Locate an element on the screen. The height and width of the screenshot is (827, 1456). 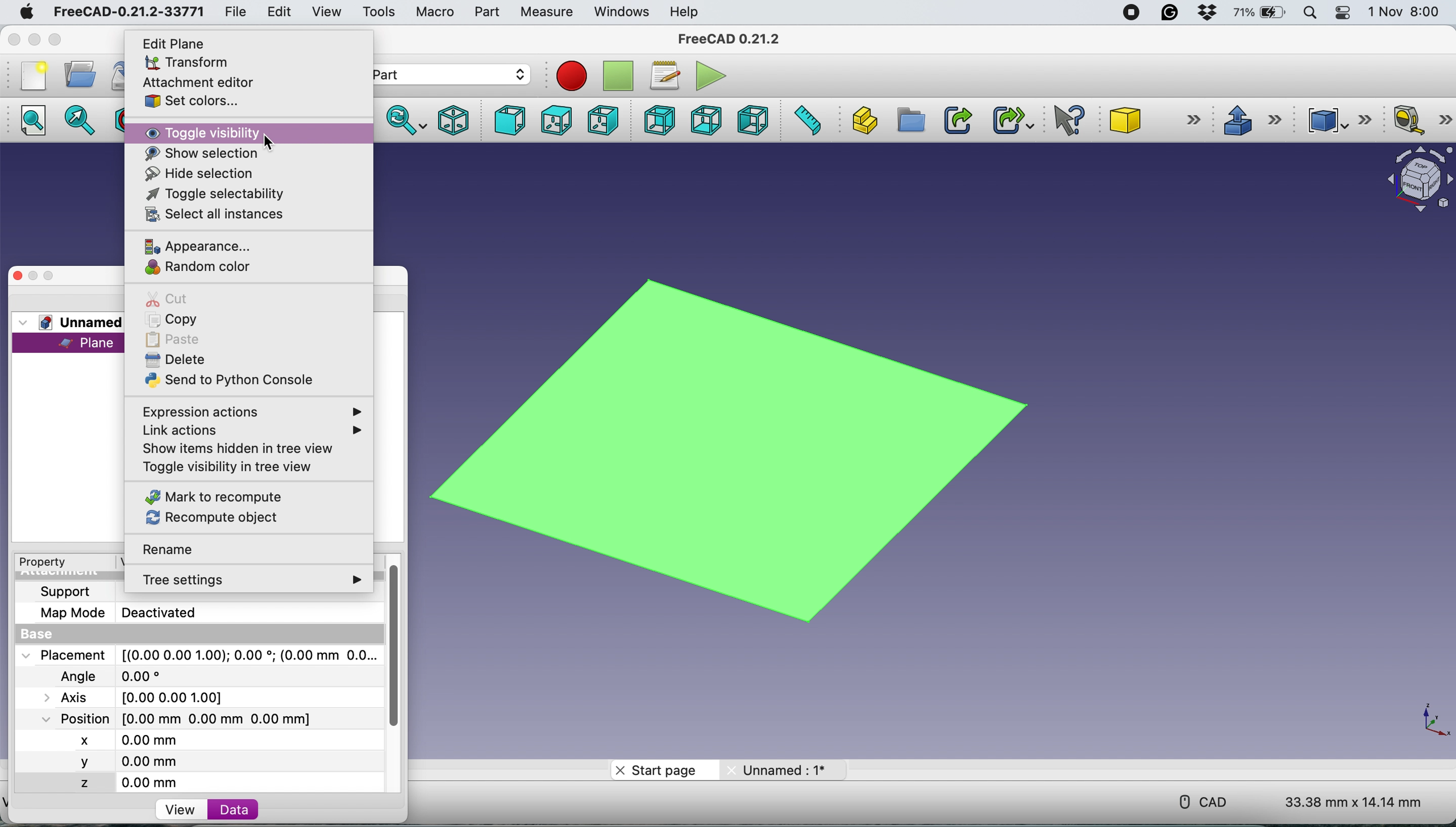
minimise is located at coordinates (32, 276).